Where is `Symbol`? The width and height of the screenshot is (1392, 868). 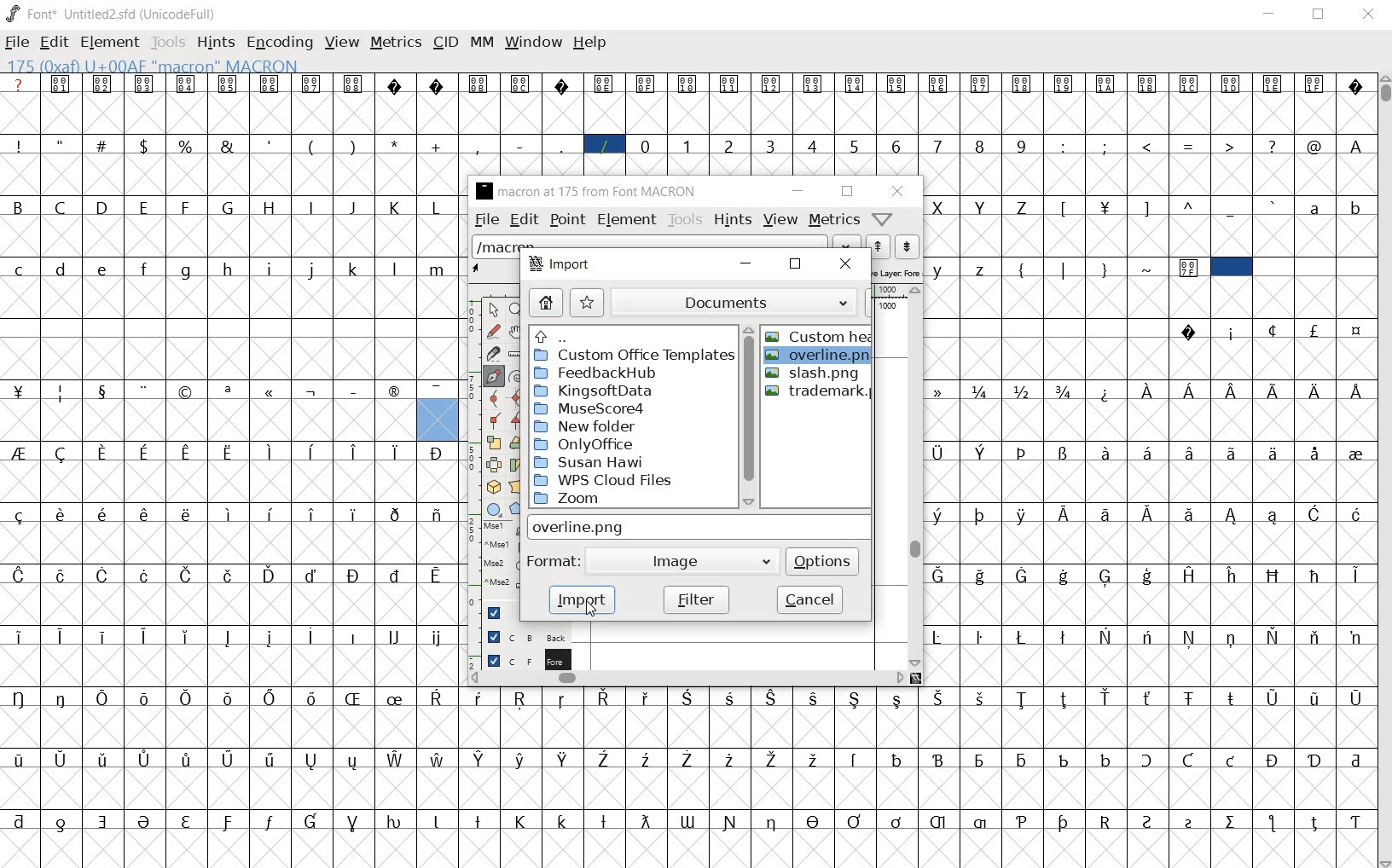 Symbol is located at coordinates (270, 391).